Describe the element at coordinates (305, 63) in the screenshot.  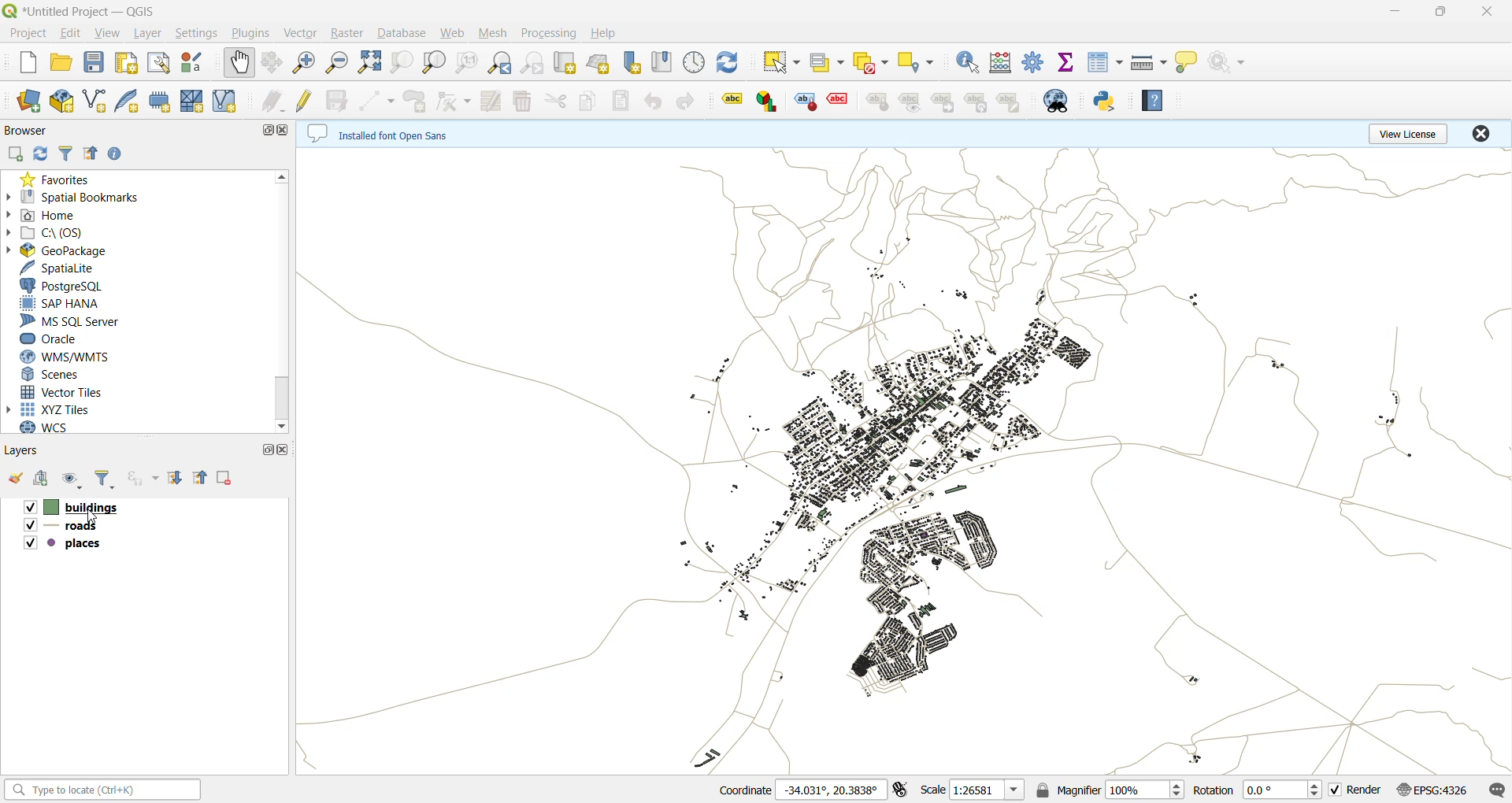
I see `zoom in` at that location.